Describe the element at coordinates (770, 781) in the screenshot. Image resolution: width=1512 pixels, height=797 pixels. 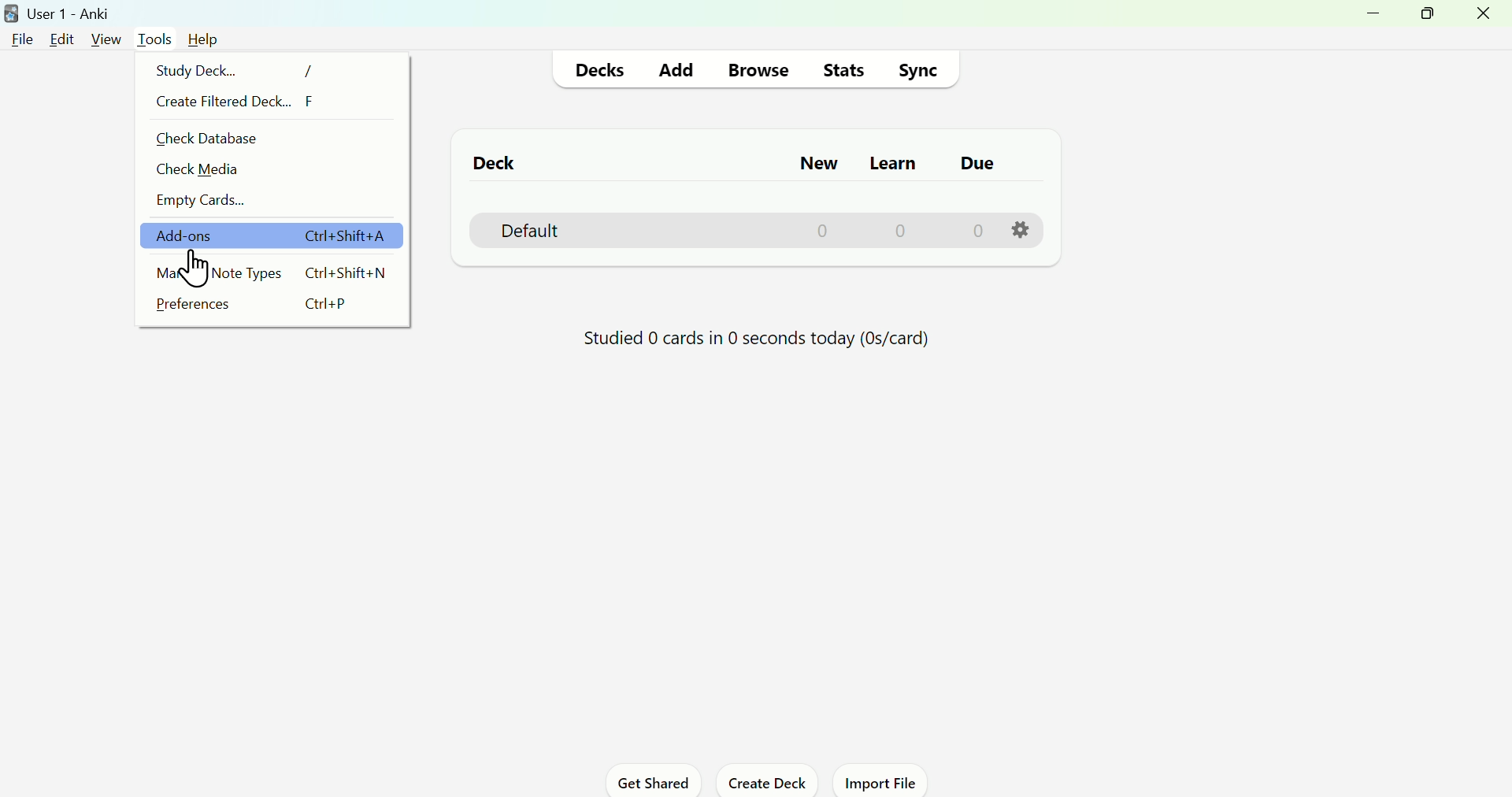
I see `Create` at that location.